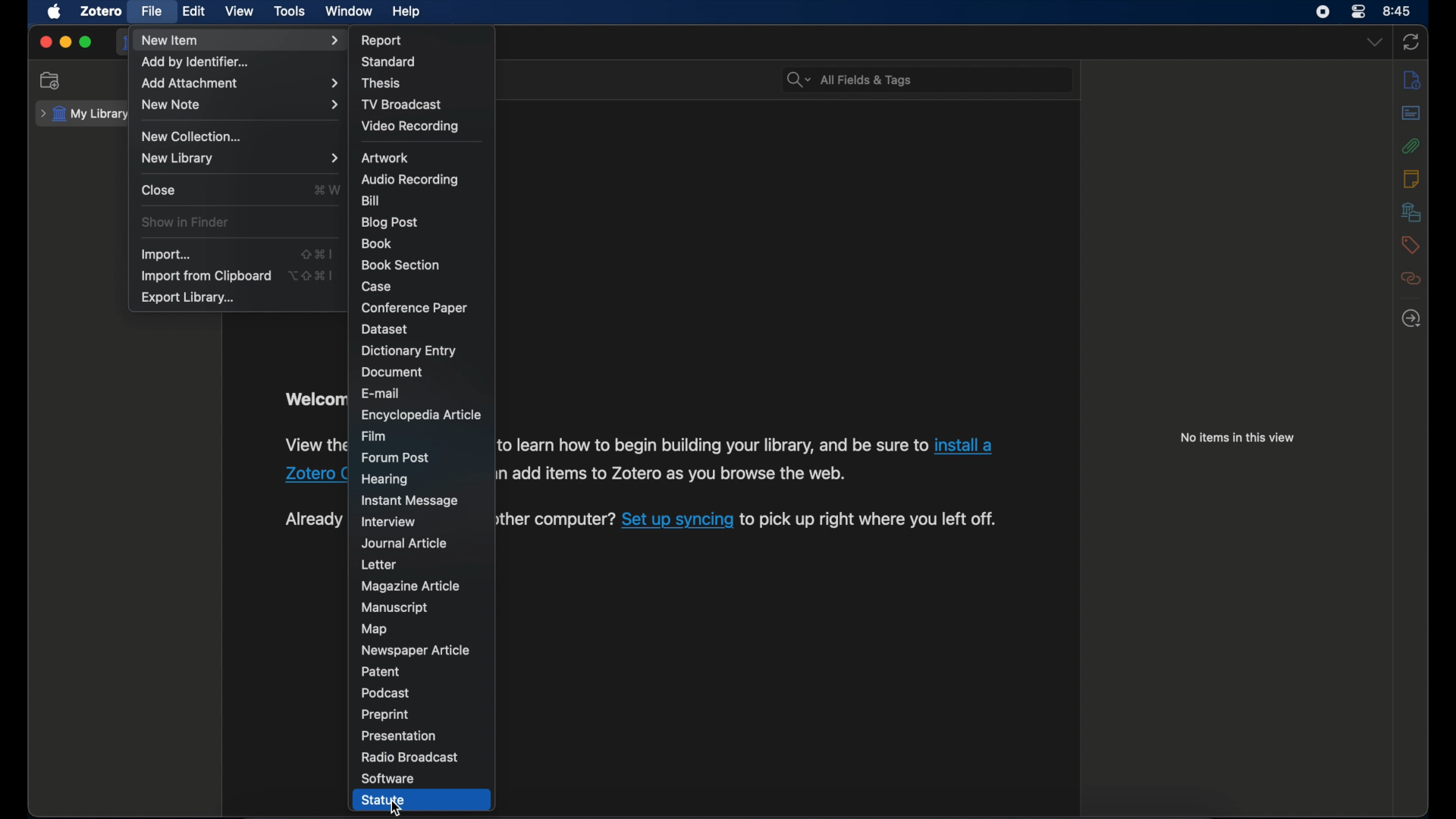 The height and width of the screenshot is (819, 1456). What do you see at coordinates (386, 329) in the screenshot?
I see `dataset` at bounding box center [386, 329].